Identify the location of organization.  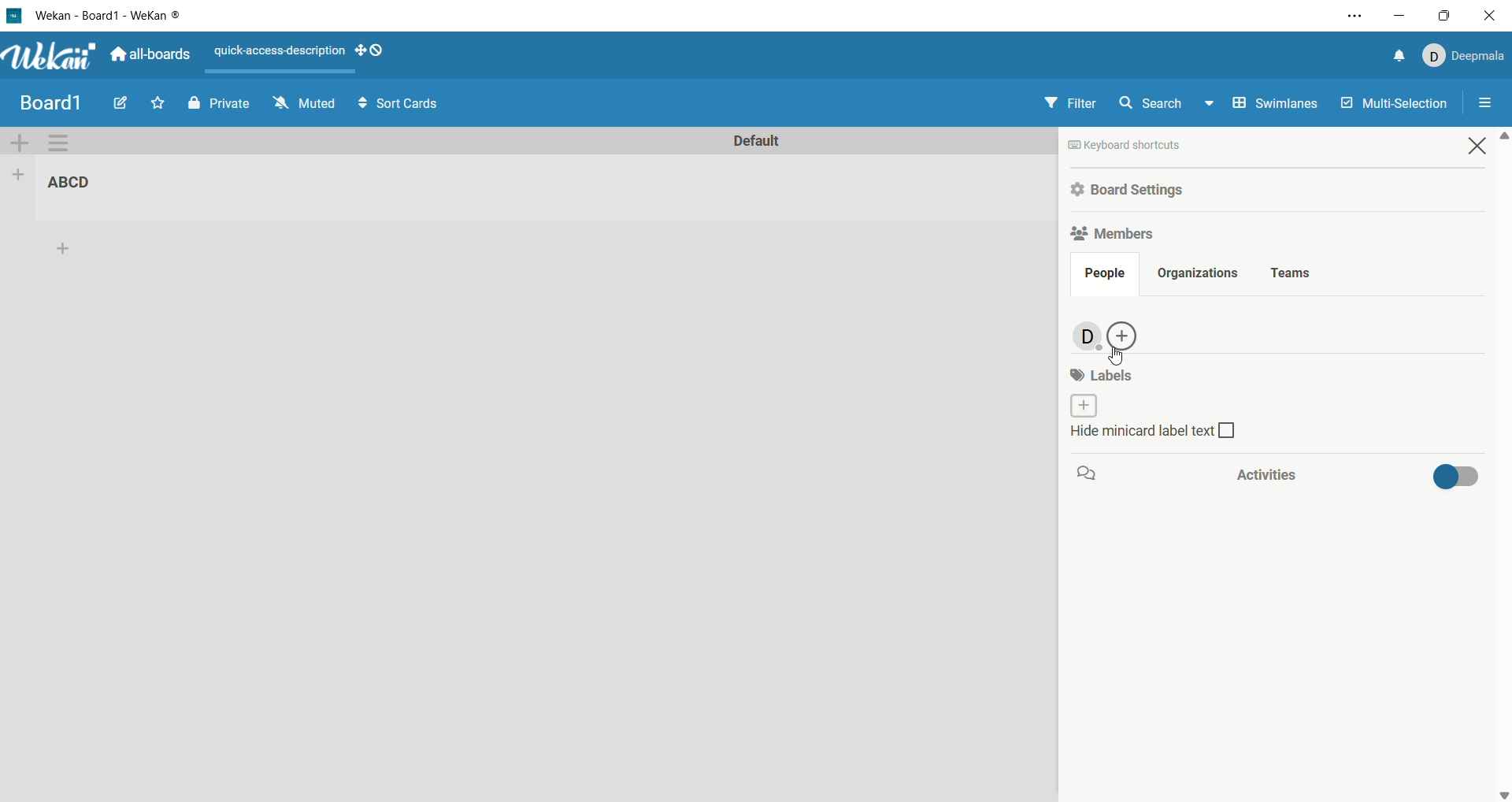
(1195, 274).